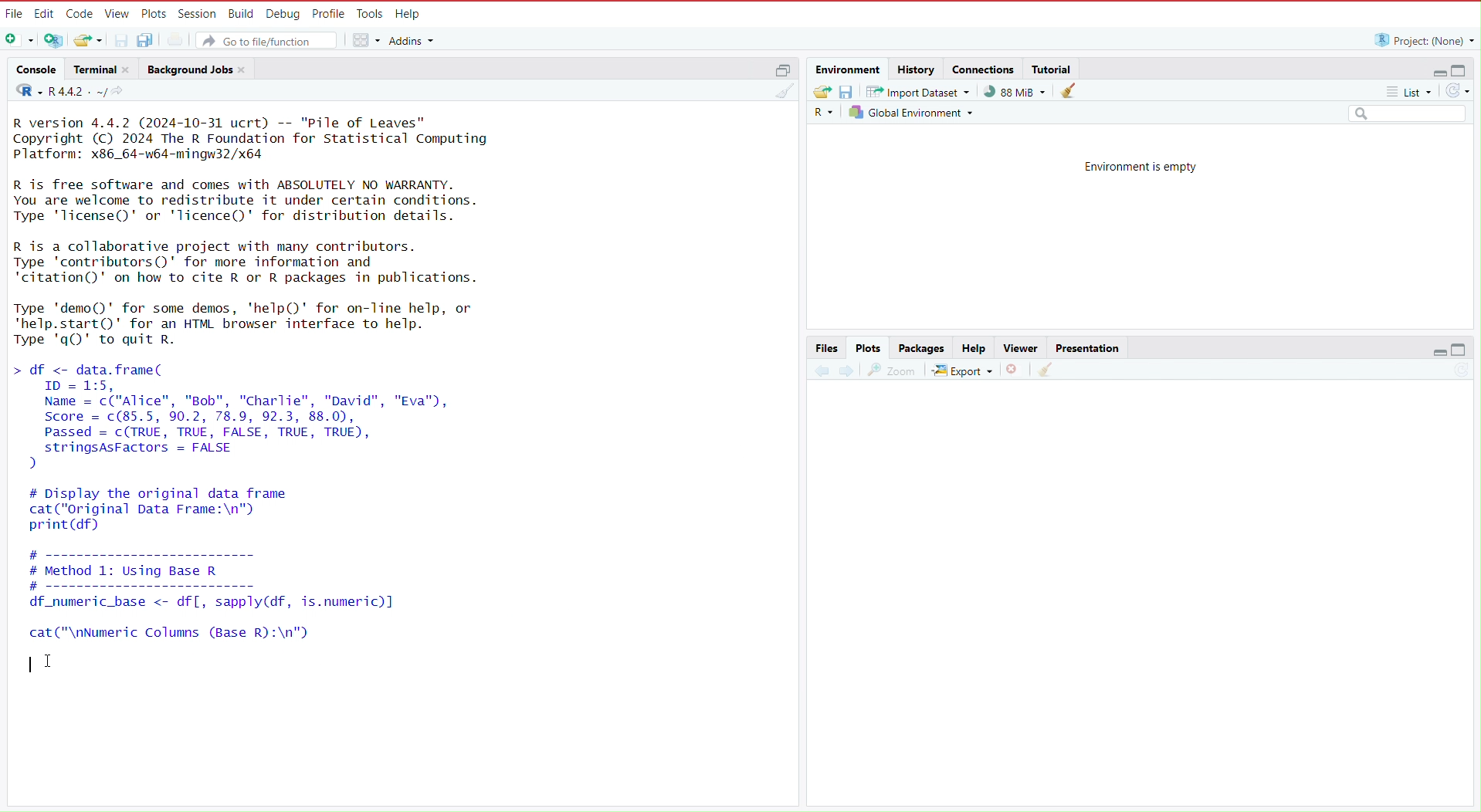  I want to click on Plots, so click(156, 13).